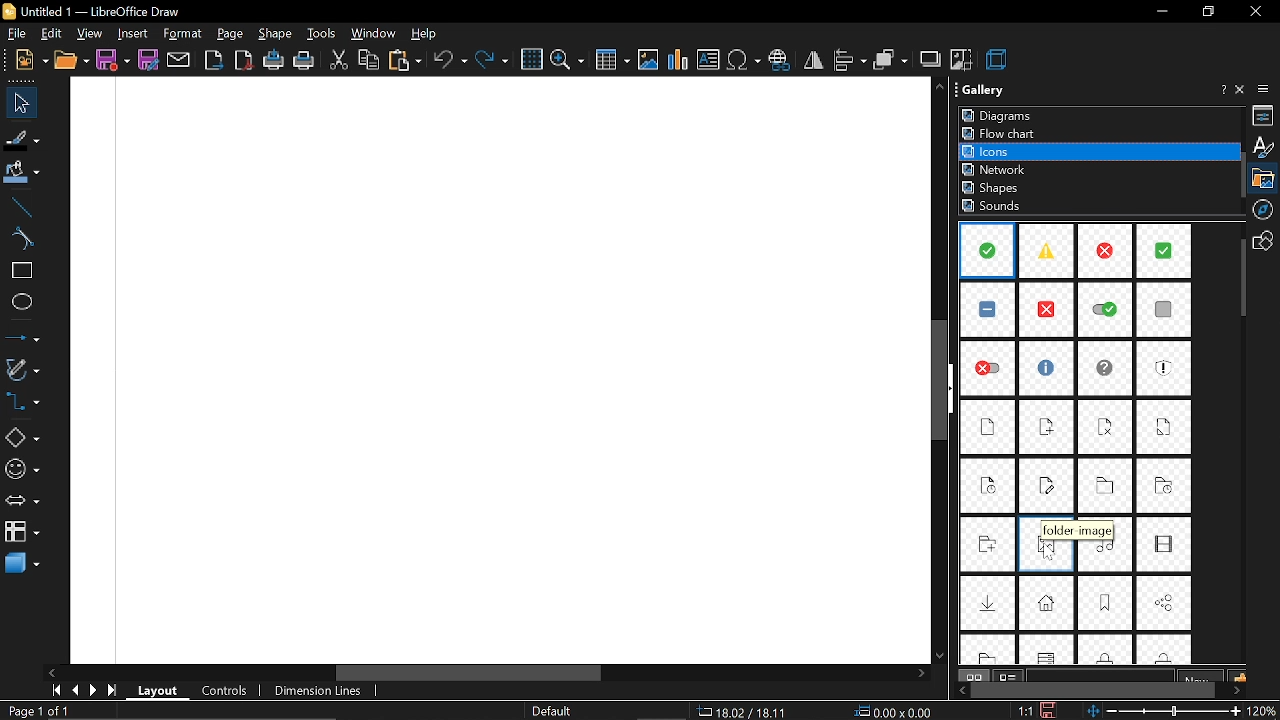  I want to click on 0.00x0.00, so click(894, 712).